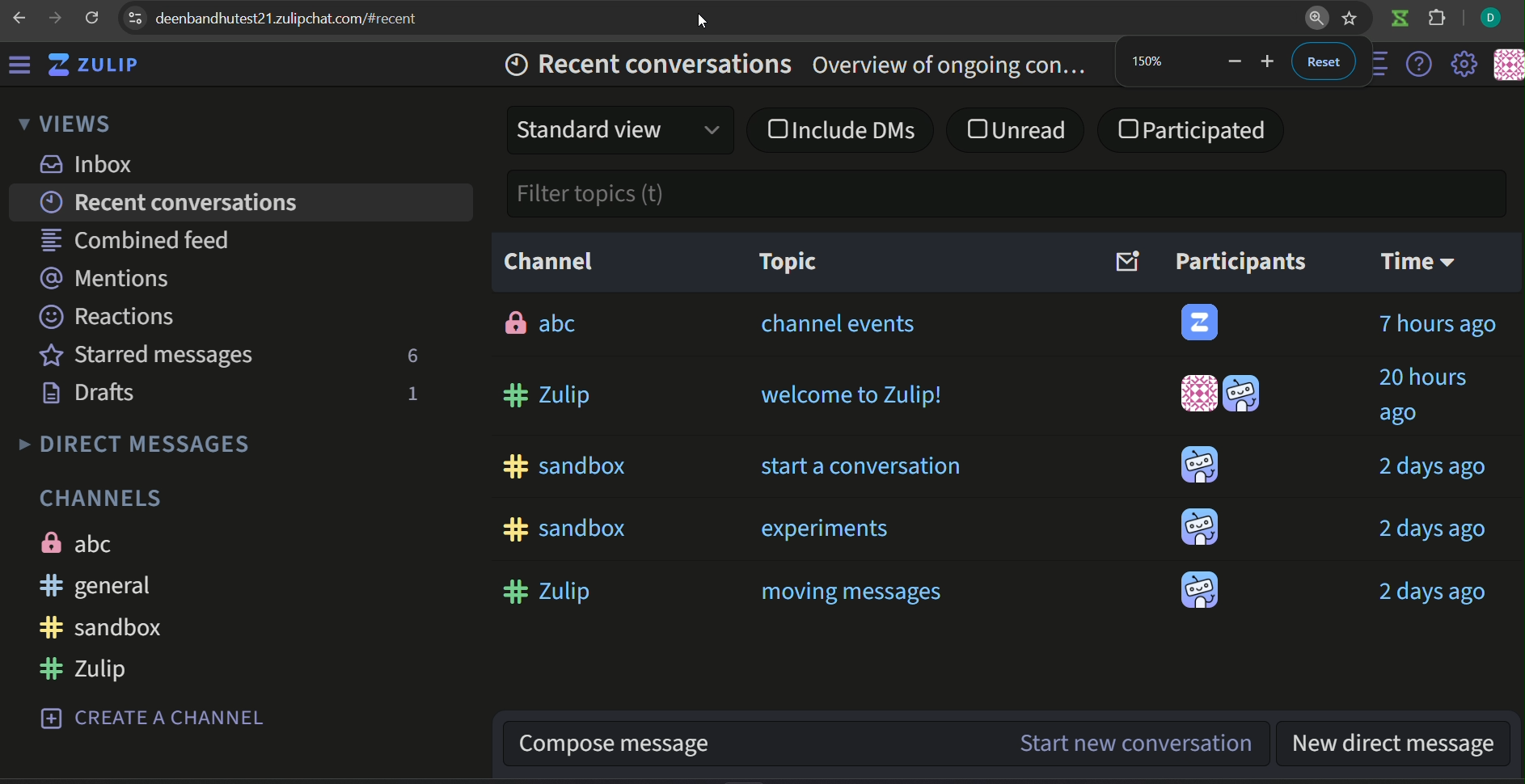 The height and width of the screenshot is (784, 1525). What do you see at coordinates (854, 397) in the screenshot?
I see `welcome to zulip!` at bounding box center [854, 397].